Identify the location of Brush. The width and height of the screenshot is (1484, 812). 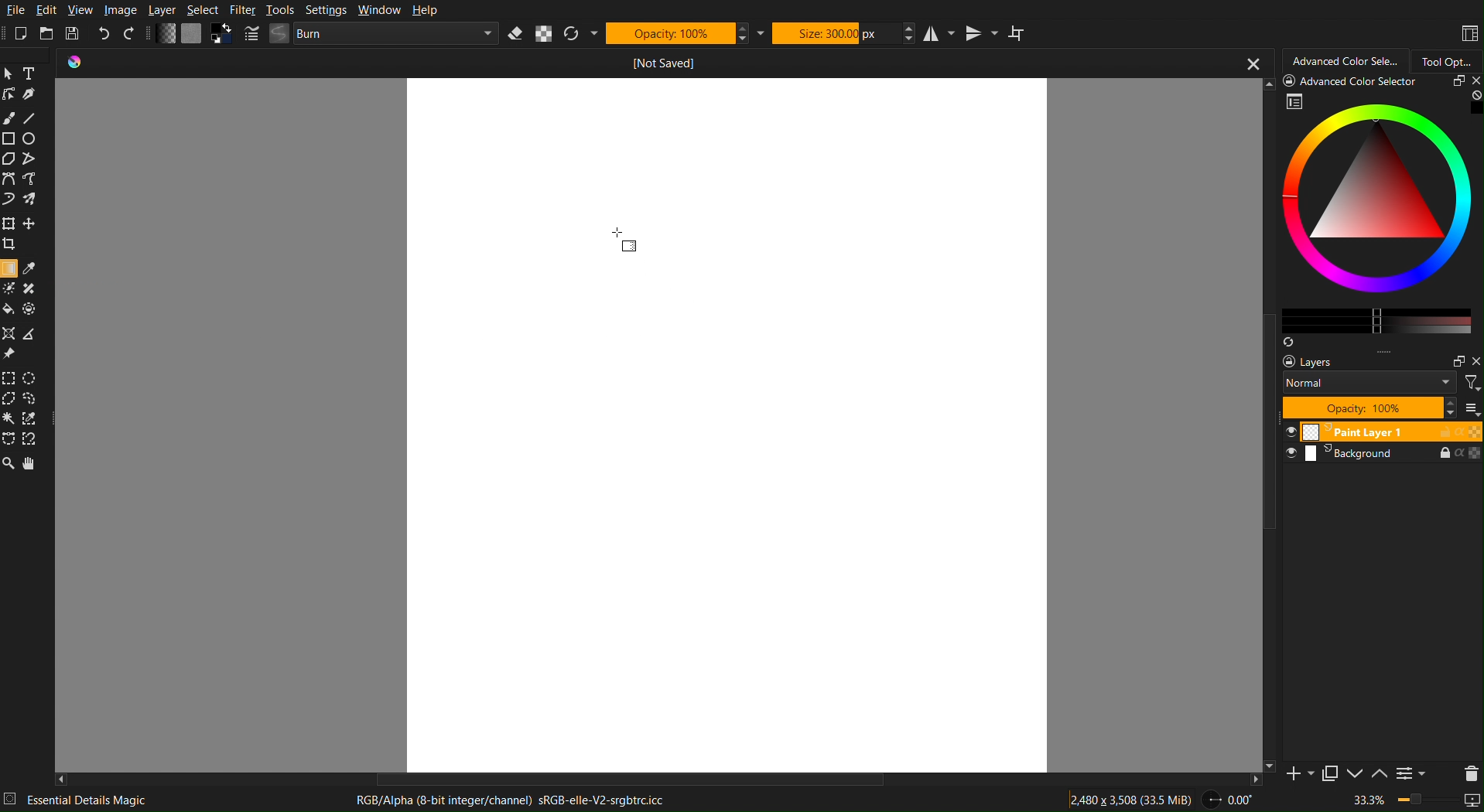
(9, 118).